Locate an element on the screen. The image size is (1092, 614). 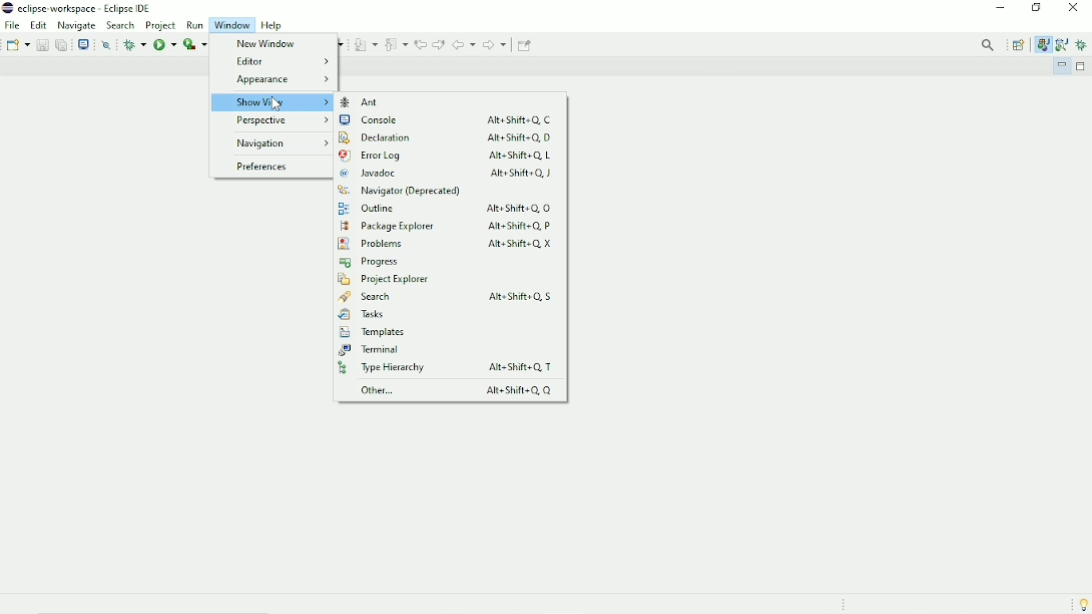
Search is located at coordinates (451, 297).